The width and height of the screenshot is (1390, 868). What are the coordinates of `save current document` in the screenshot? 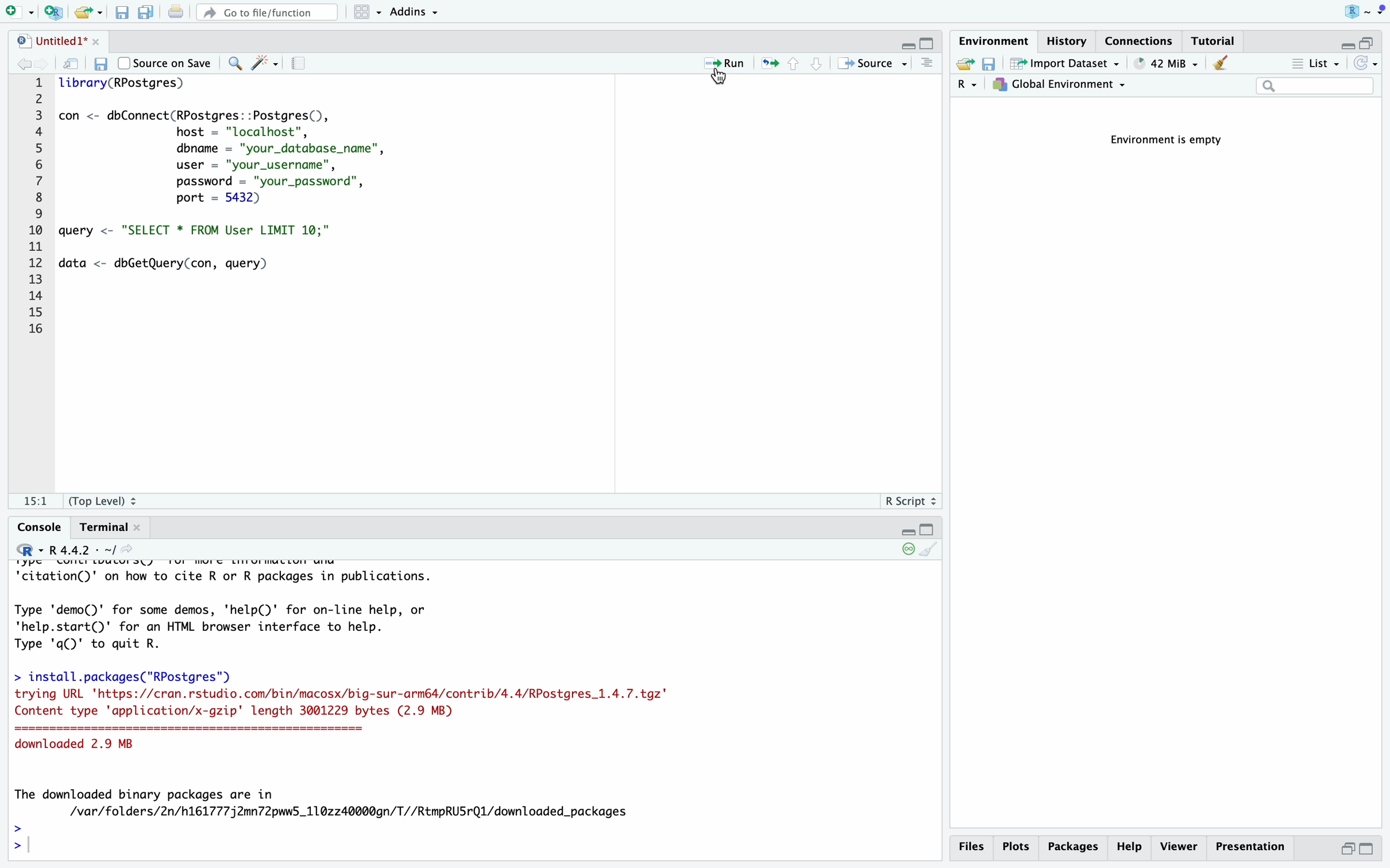 It's located at (98, 65).